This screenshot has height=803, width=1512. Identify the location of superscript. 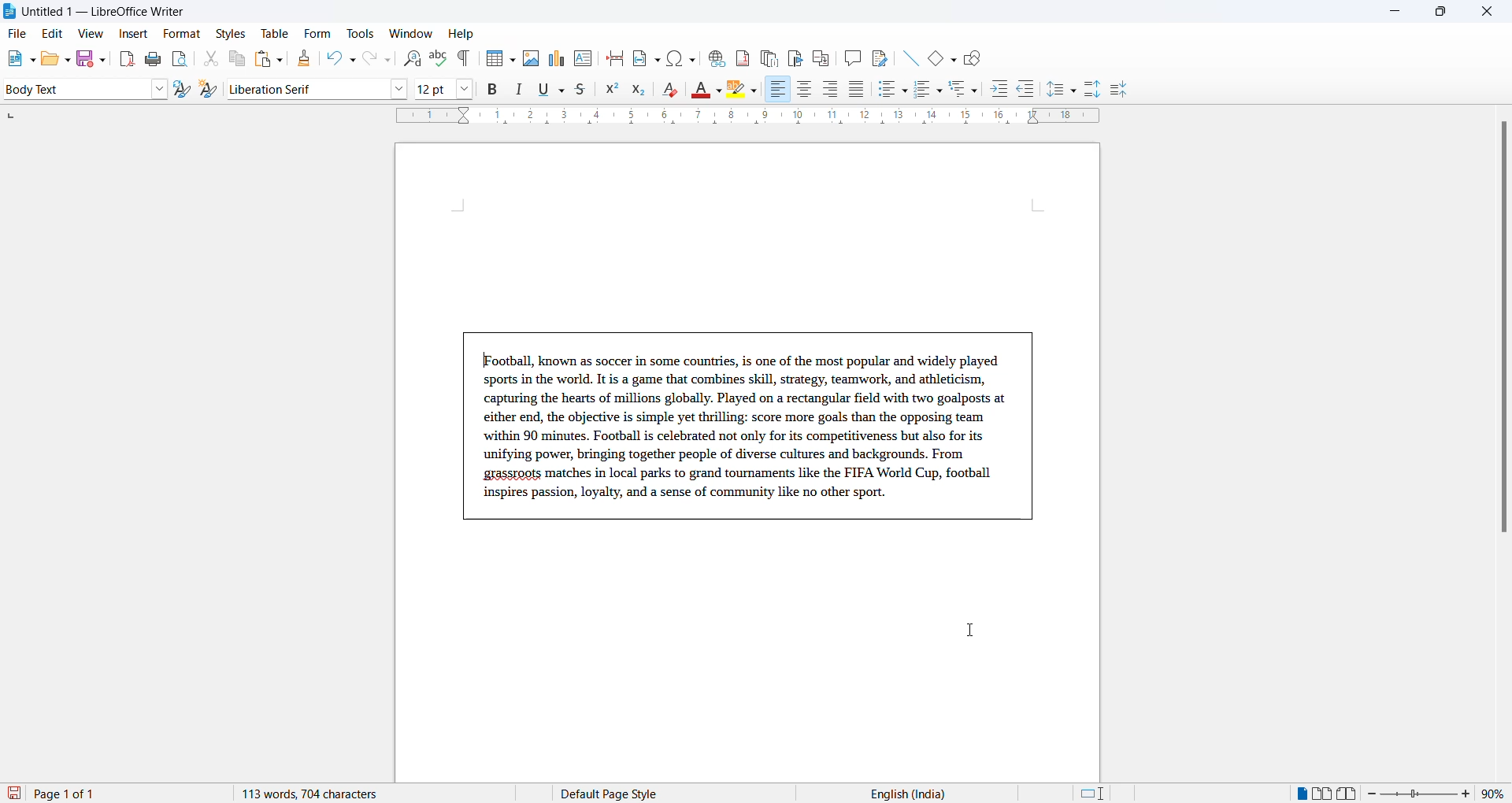
(613, 92).